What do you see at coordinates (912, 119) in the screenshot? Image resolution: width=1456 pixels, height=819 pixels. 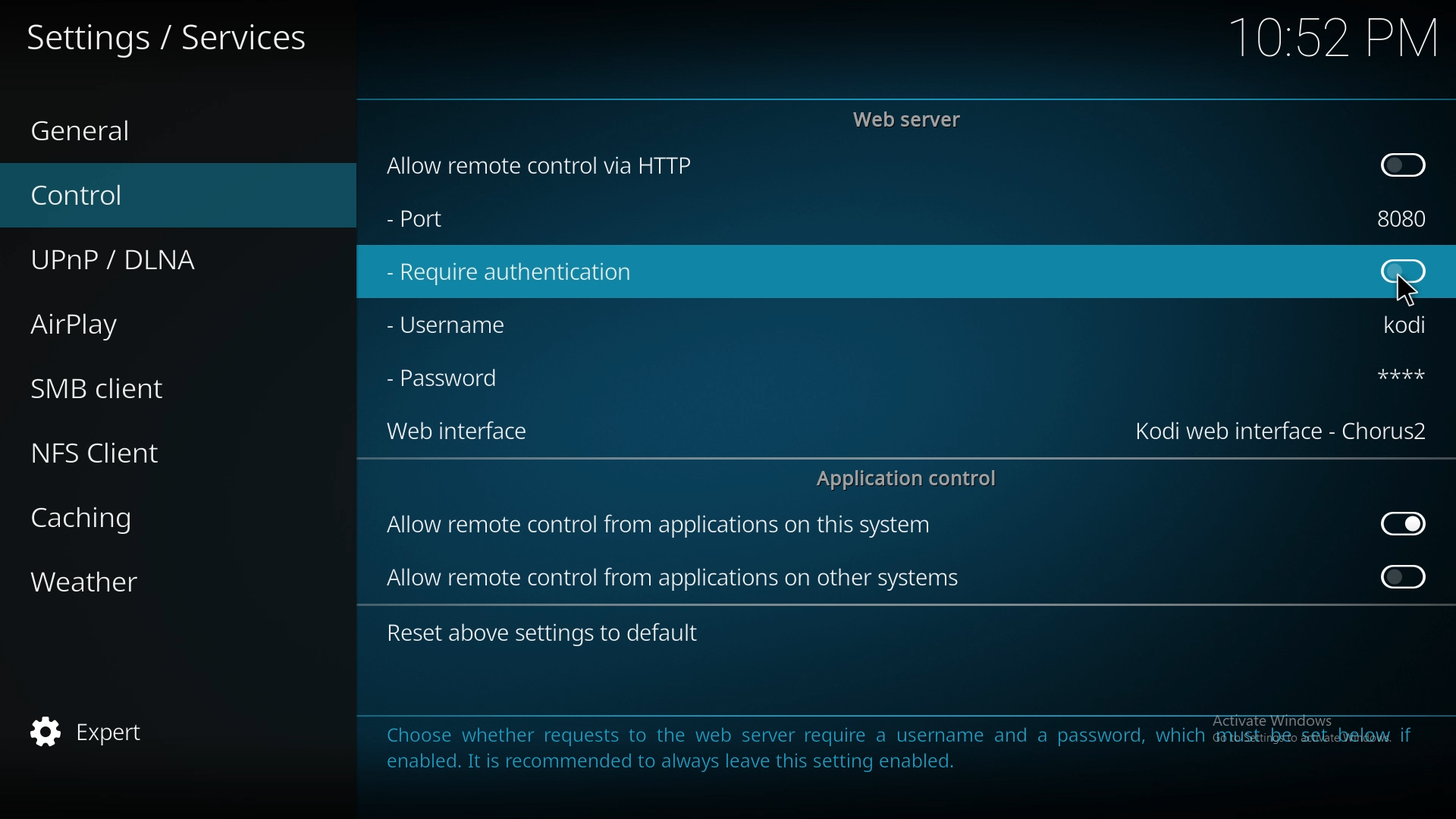 I see `web server` at bounding box center [912, 119].